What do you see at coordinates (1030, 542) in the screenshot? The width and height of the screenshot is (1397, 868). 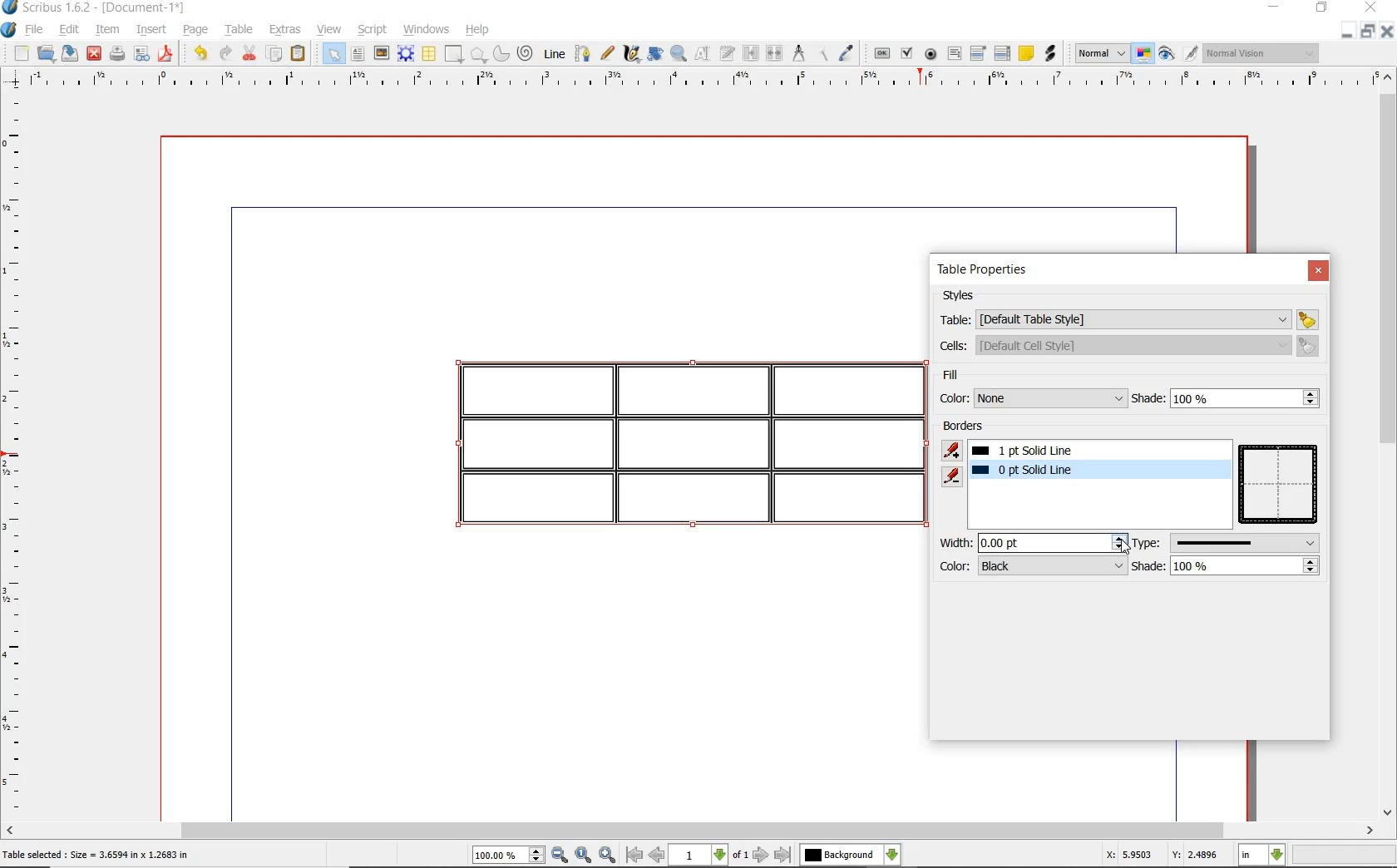 I see `width` at bounding box center [1030, 542].